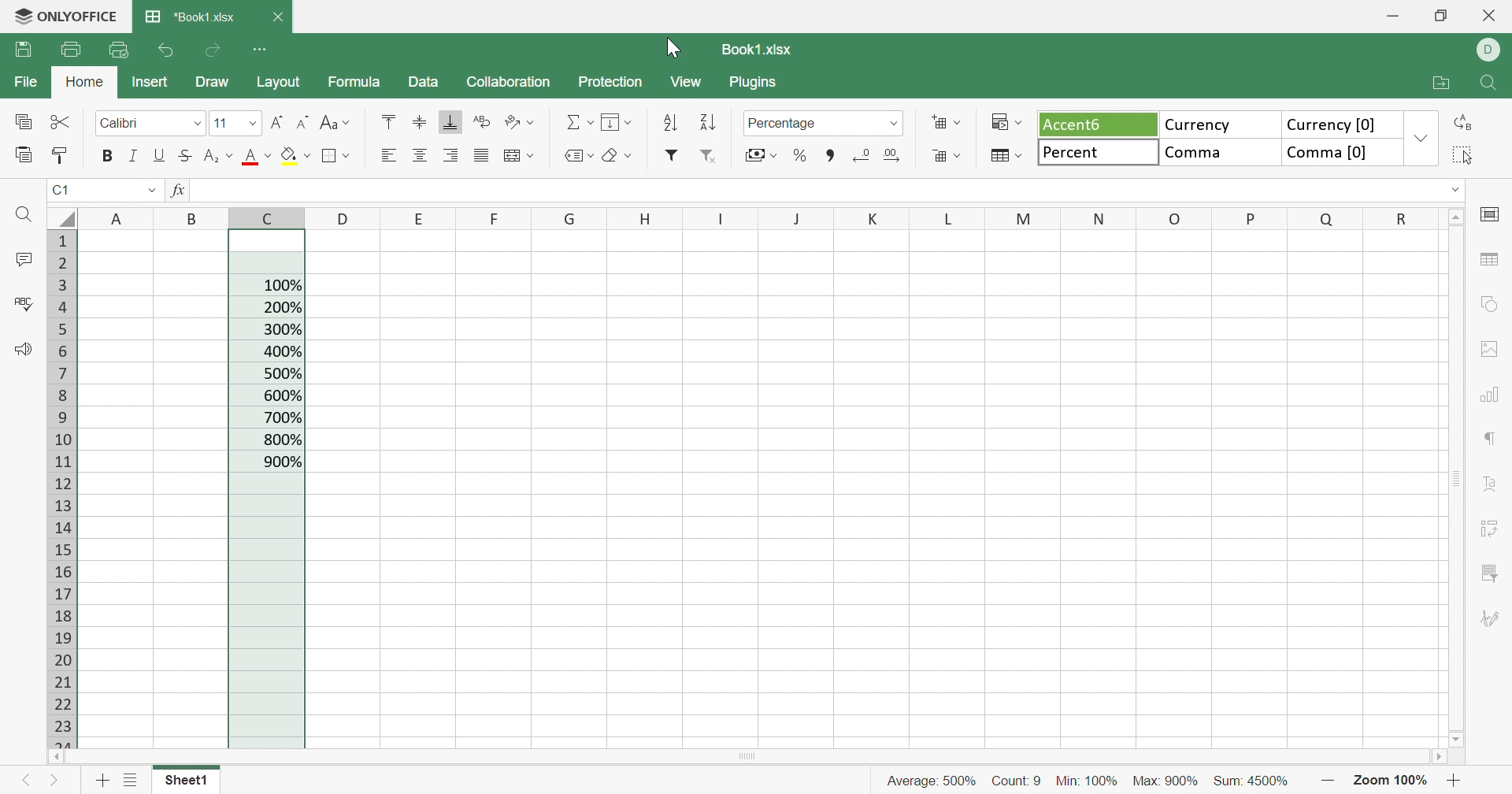  Describe the element at coordinates (752, 758) in the screenshot. I see `Scroll Bar` at that location.